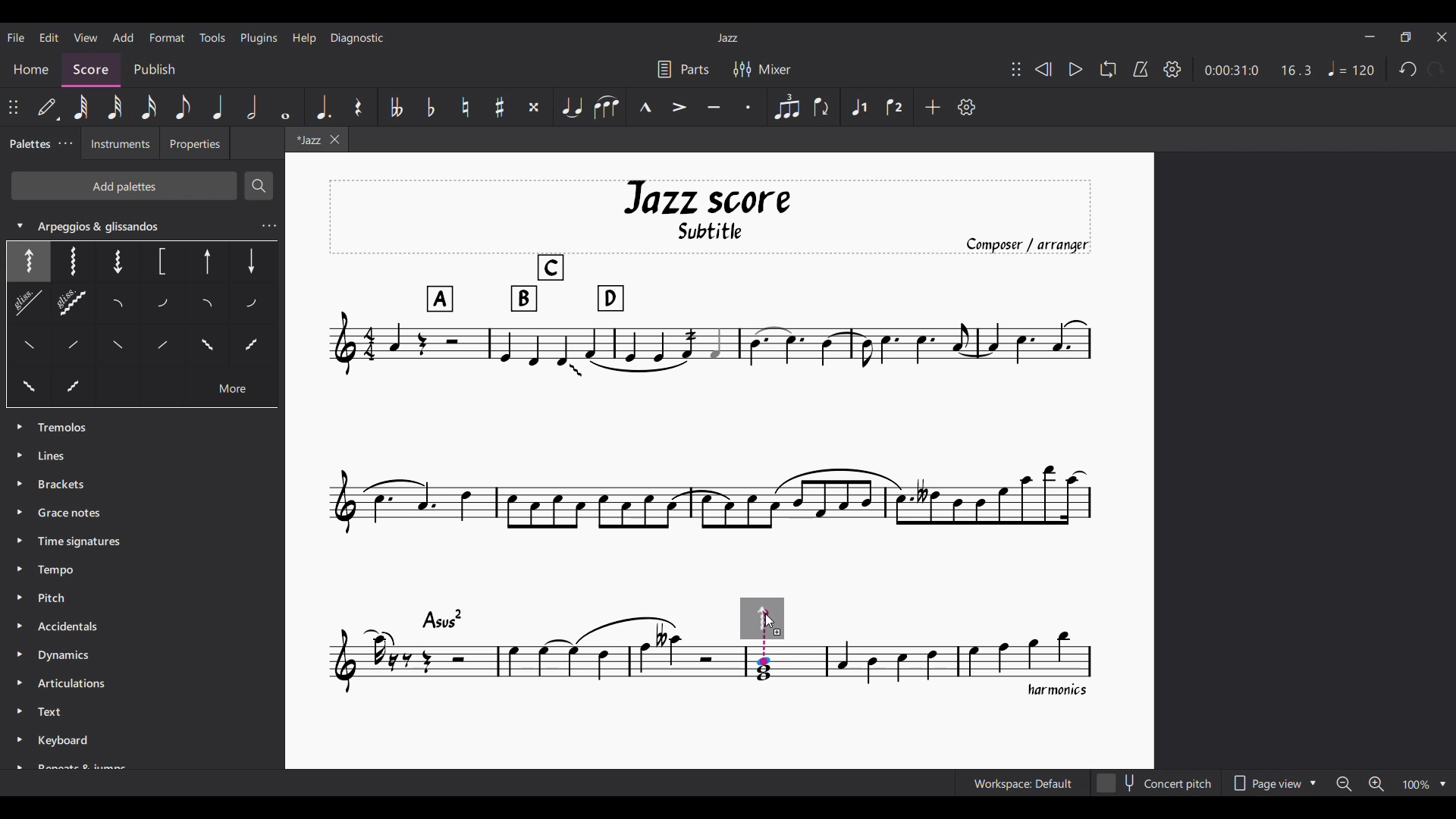 This screenshot has width=1456, height=819. What do you see at coordinates (356, 38) in the screenshot?
I see `Diagnostic menu` at bounding box center [356, 38].